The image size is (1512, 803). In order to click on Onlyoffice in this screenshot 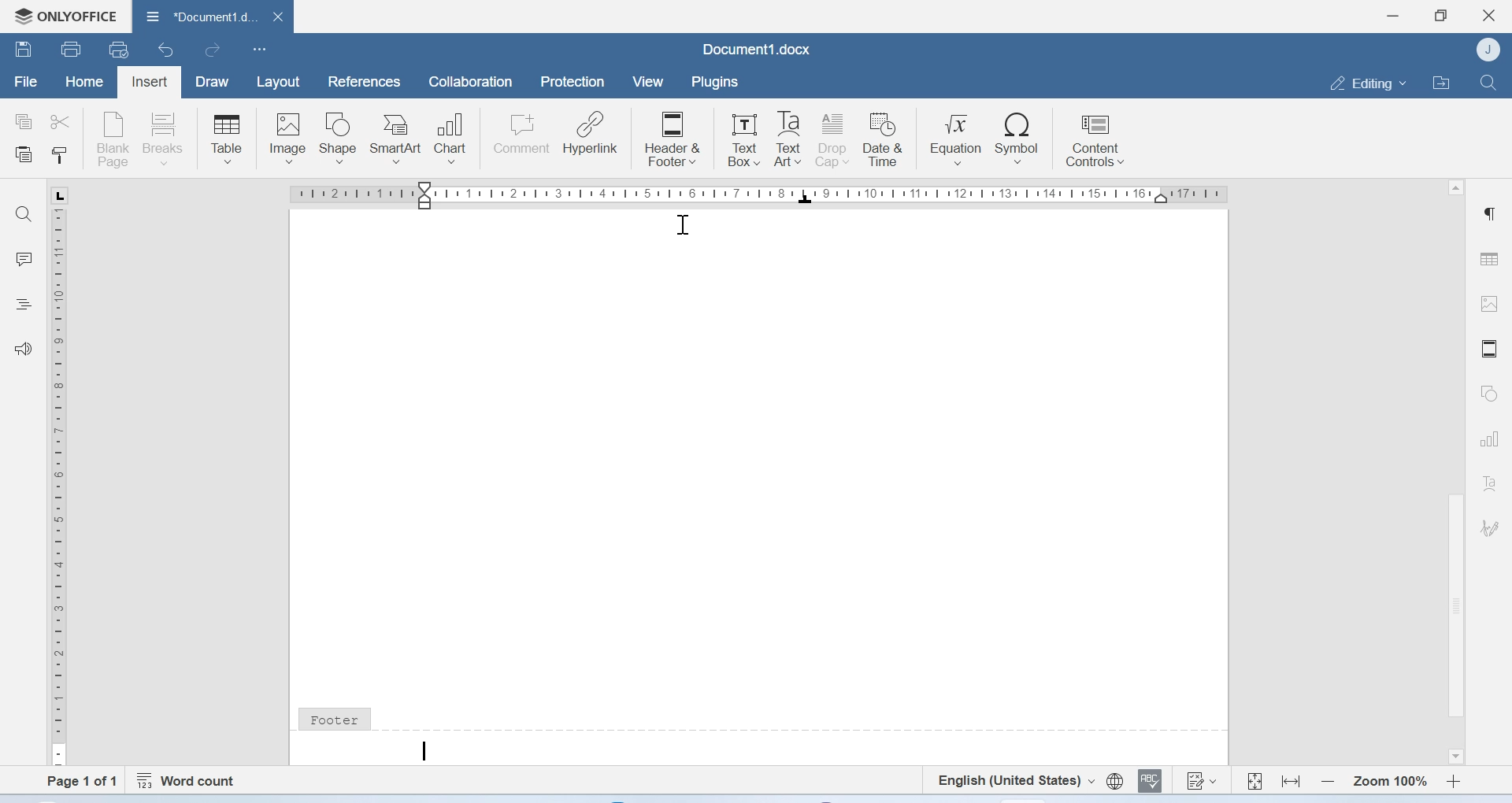, I will do `click(65, 14)`.